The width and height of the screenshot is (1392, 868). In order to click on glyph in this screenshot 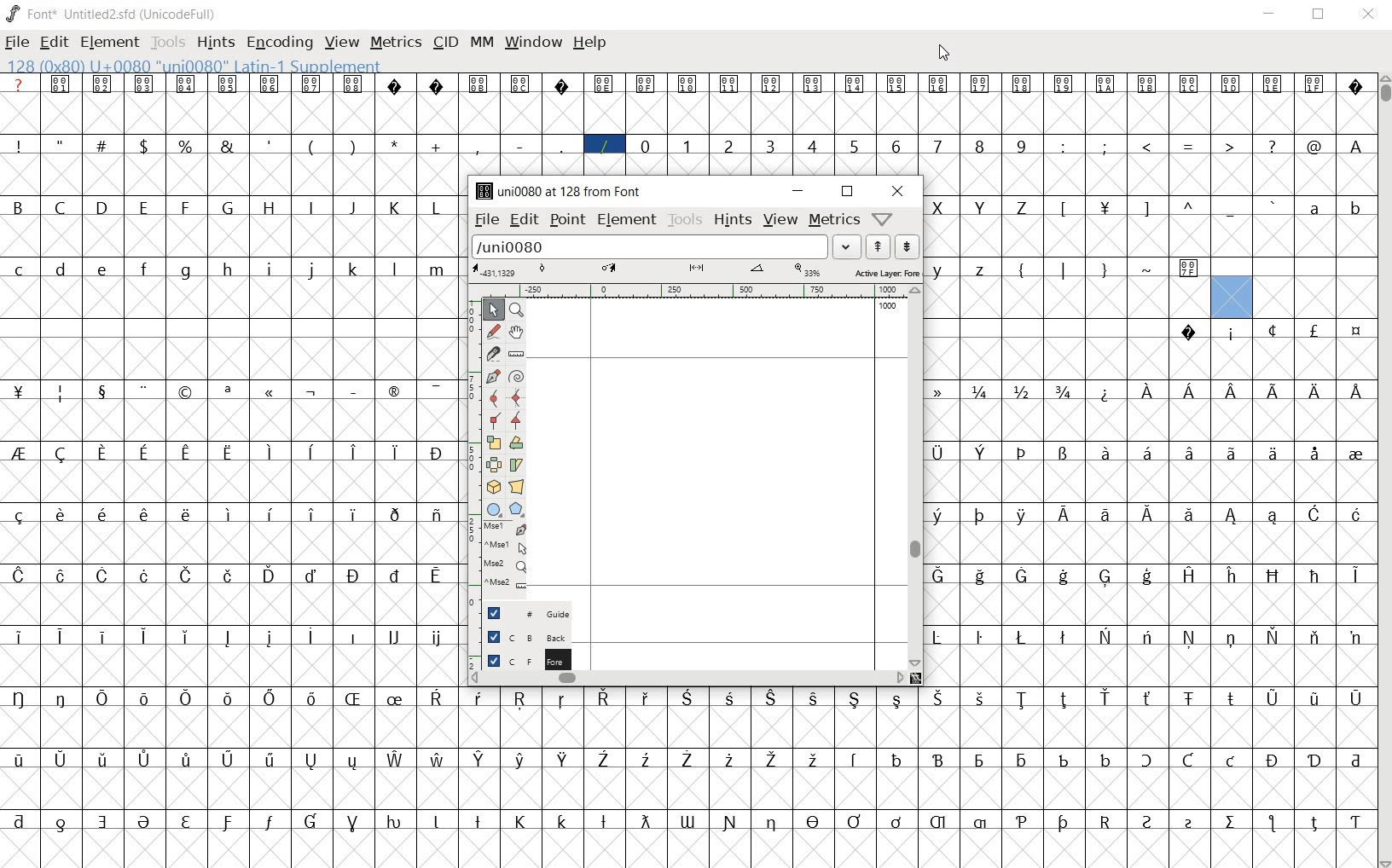, I will do `click(1314, 209)`.